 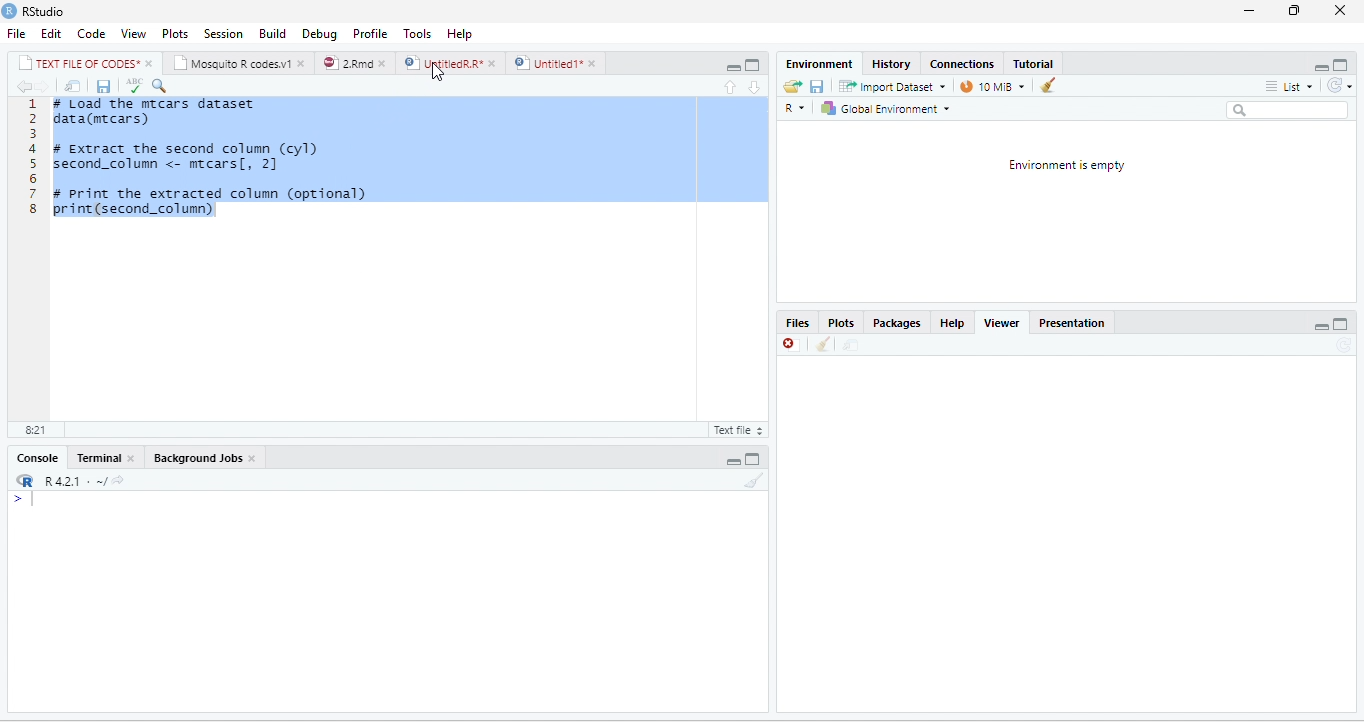 What do you see at coordinates (418, 32) in the screenshot?
I see `Tools` at bounding box center [418, 32].